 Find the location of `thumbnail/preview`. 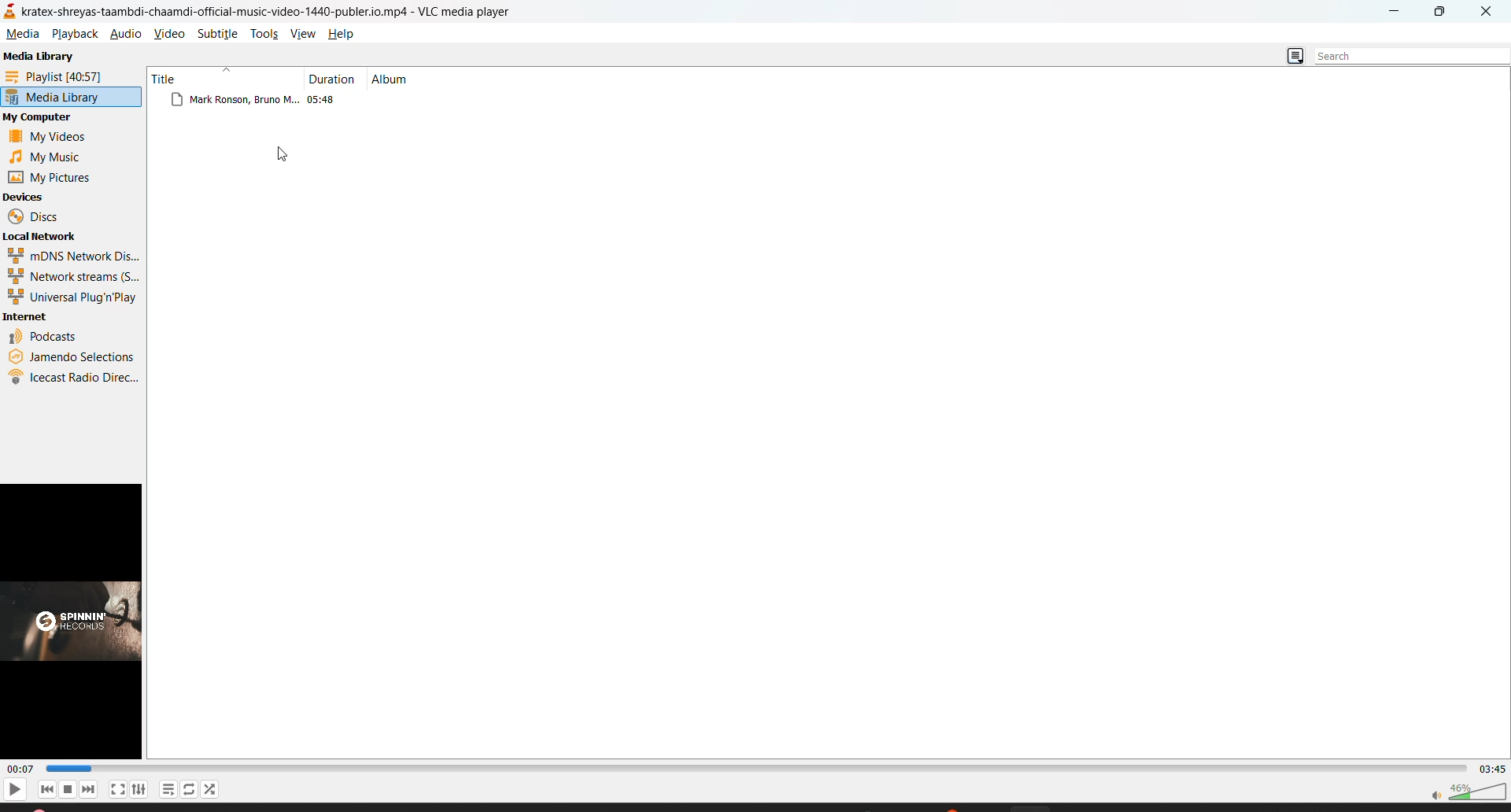

thumbnail/preview is located at coordinates (76, 622).